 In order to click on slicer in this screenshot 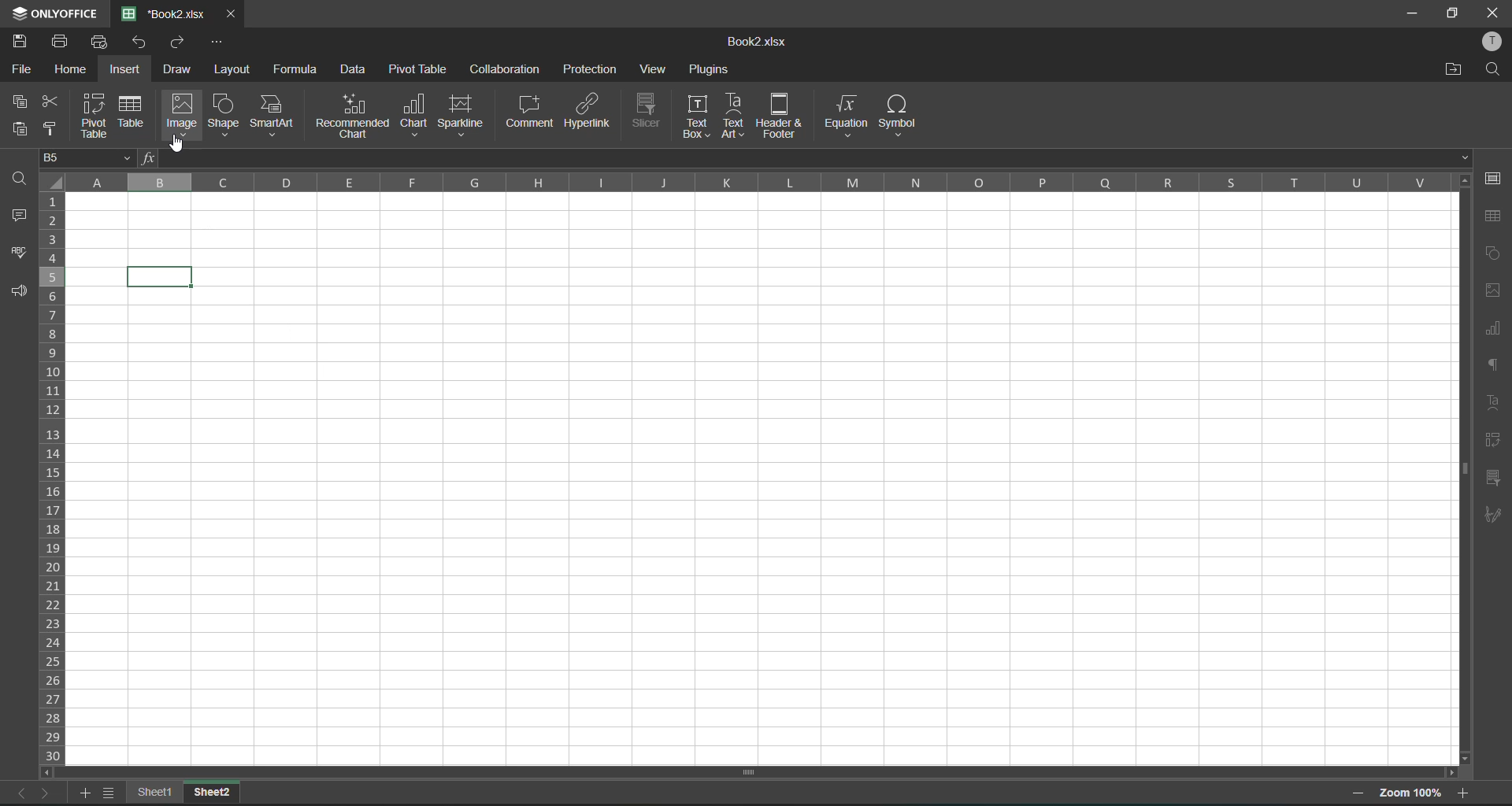, I will do `click(1494, 479)`.